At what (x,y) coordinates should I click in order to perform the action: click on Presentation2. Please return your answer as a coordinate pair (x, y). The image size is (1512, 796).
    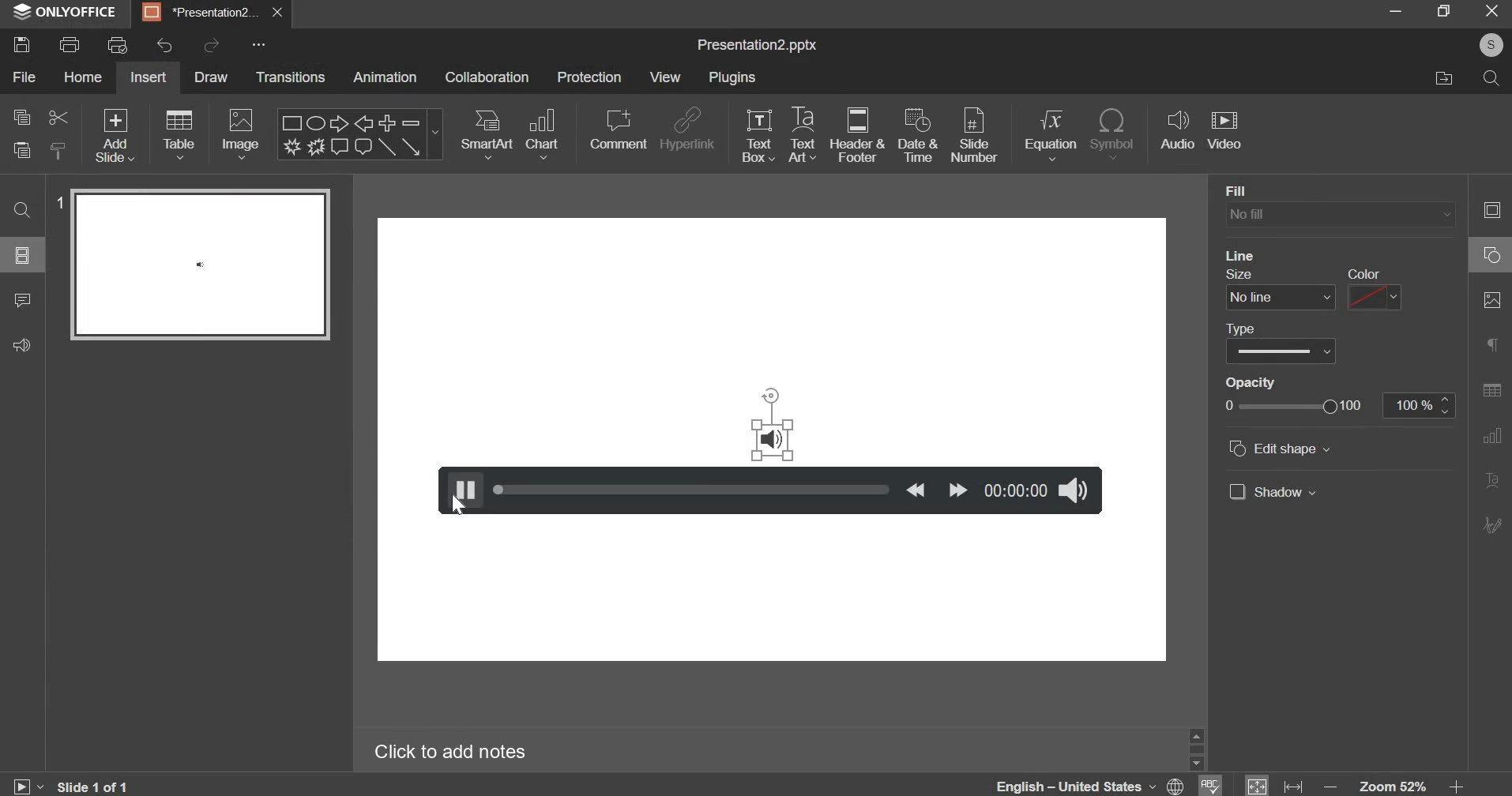
    Looking at the image, I should click on (199, 14).